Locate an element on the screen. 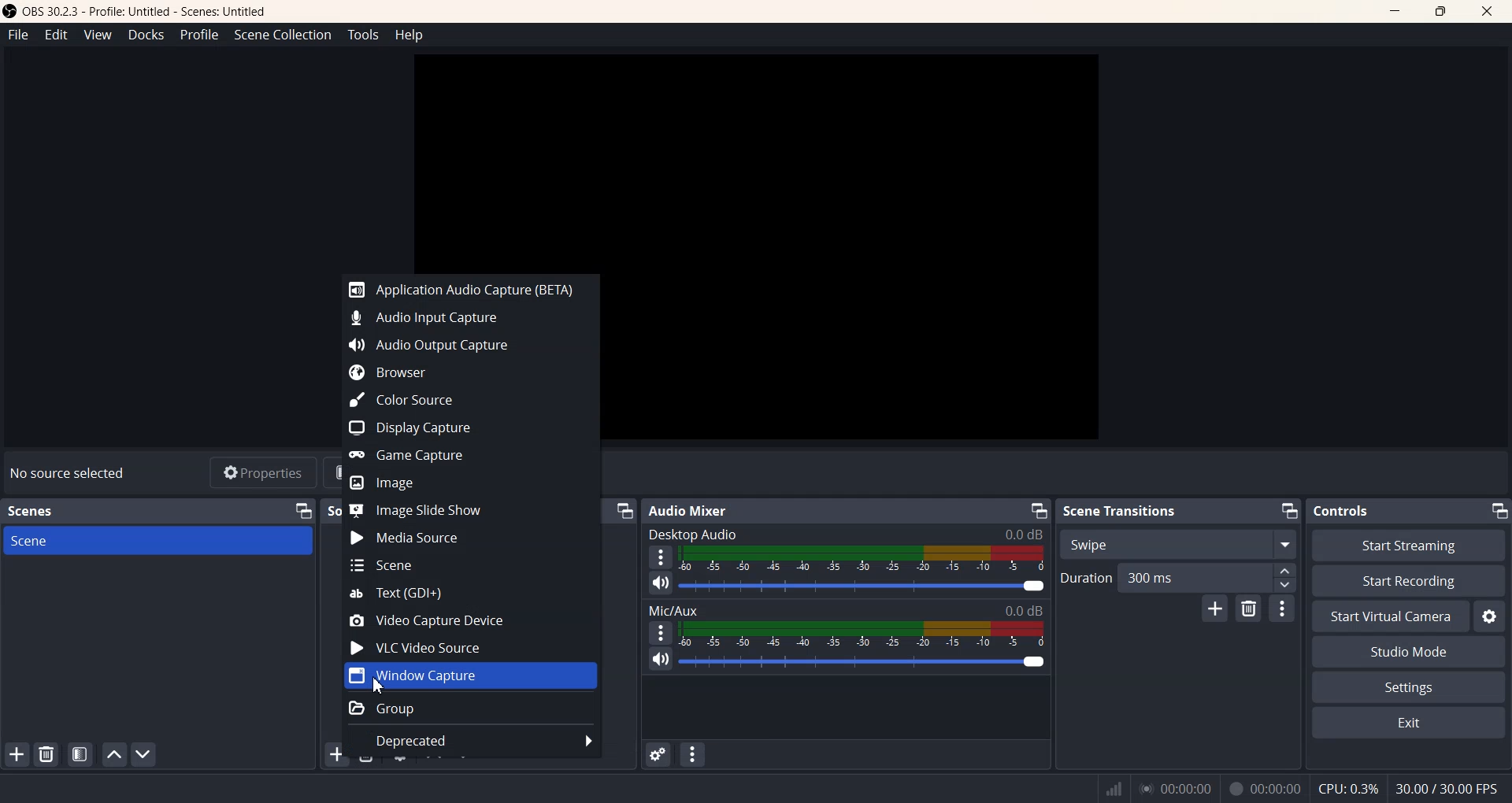 The width and height of the screenshot is (1512, 803). Media Source is located at coordinates (468, 538).